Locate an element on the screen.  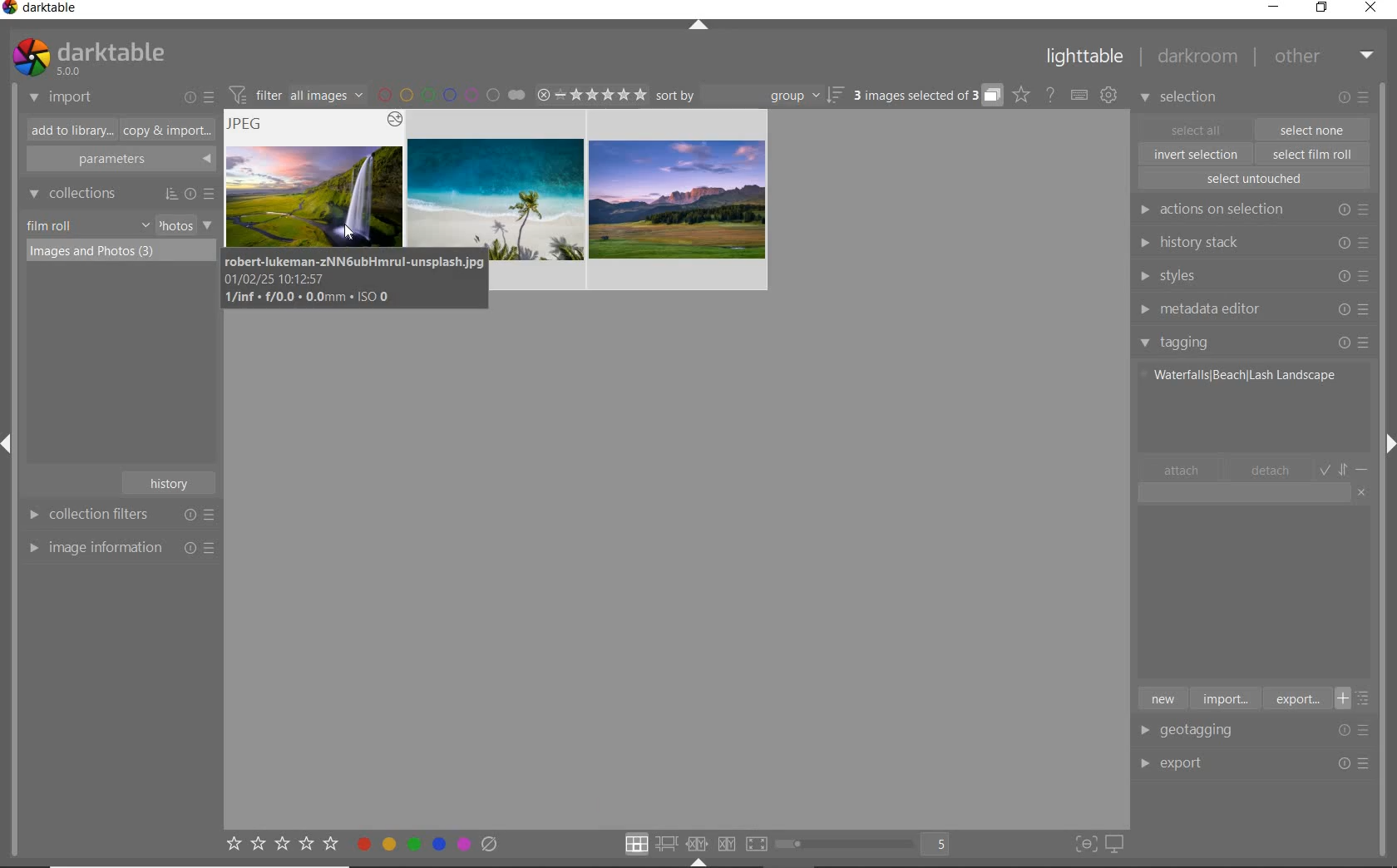
collections is located at coordinates (119, 194).